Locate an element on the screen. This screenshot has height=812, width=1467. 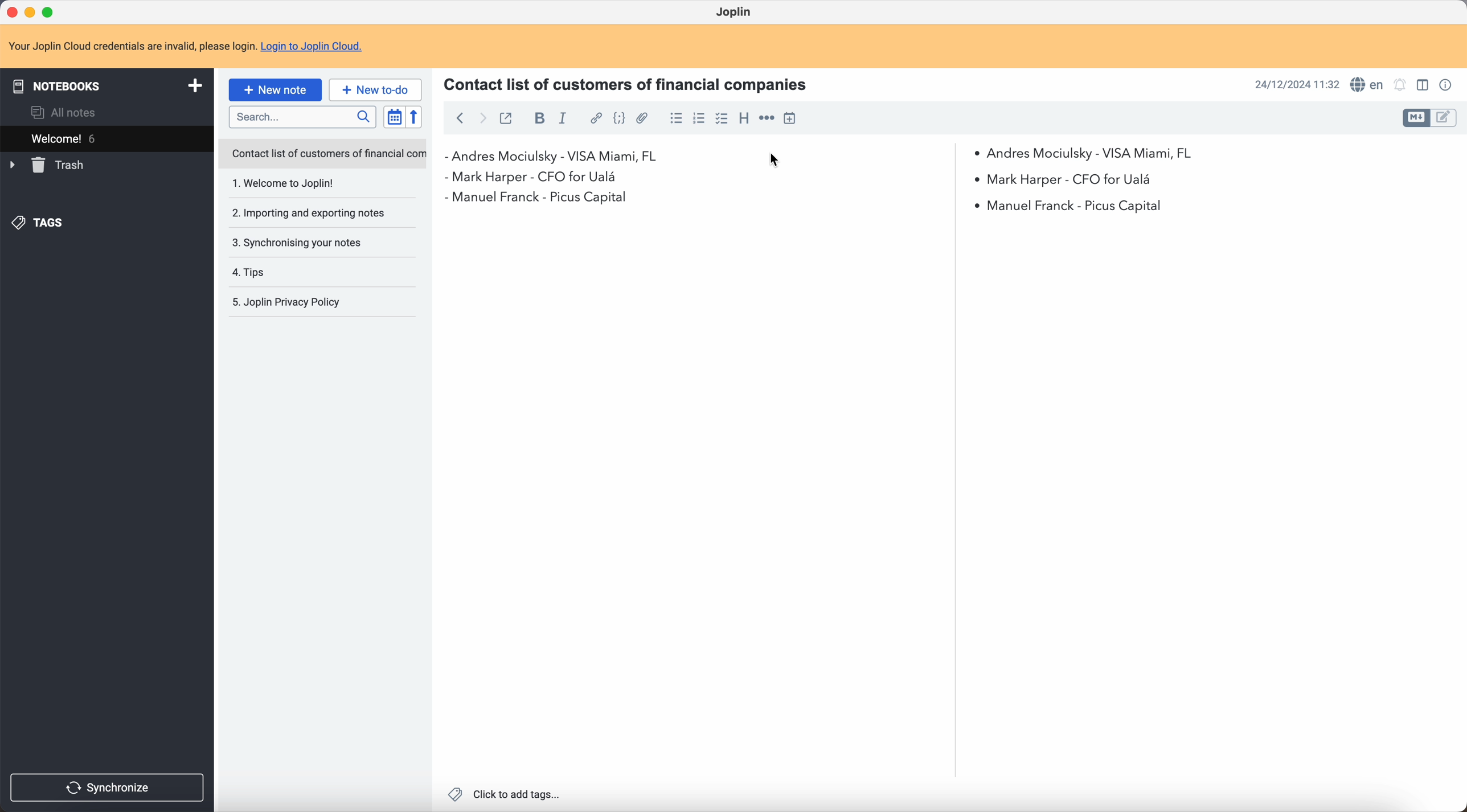
3. Synchronising your notes is located at coordinates (301, 242).